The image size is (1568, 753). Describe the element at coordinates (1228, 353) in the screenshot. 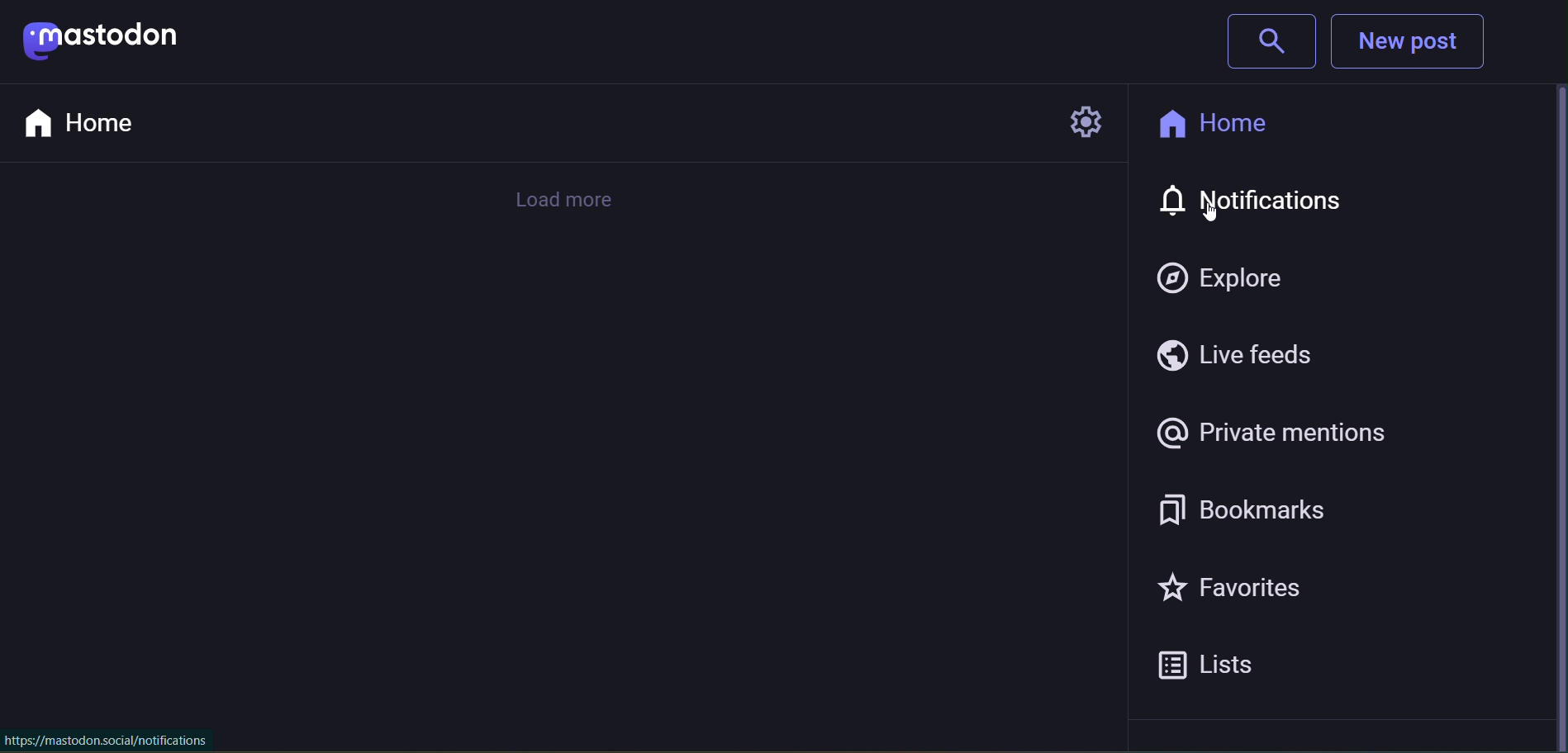

I see `Live Feeds` at that location.